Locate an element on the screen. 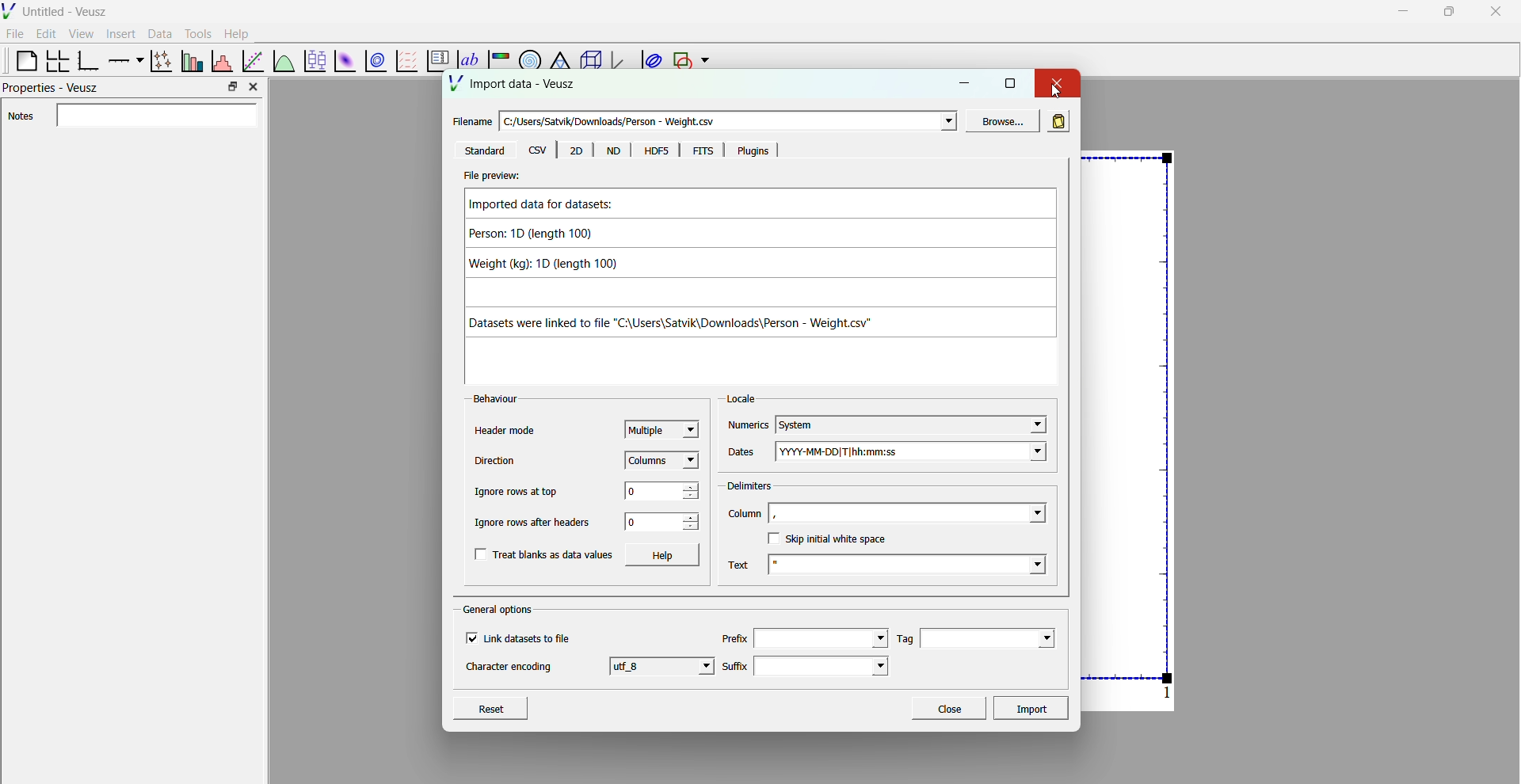 This screenshot has height=784, width=1521. plot 2d datasets as contour is located at coordinates (376, 62).